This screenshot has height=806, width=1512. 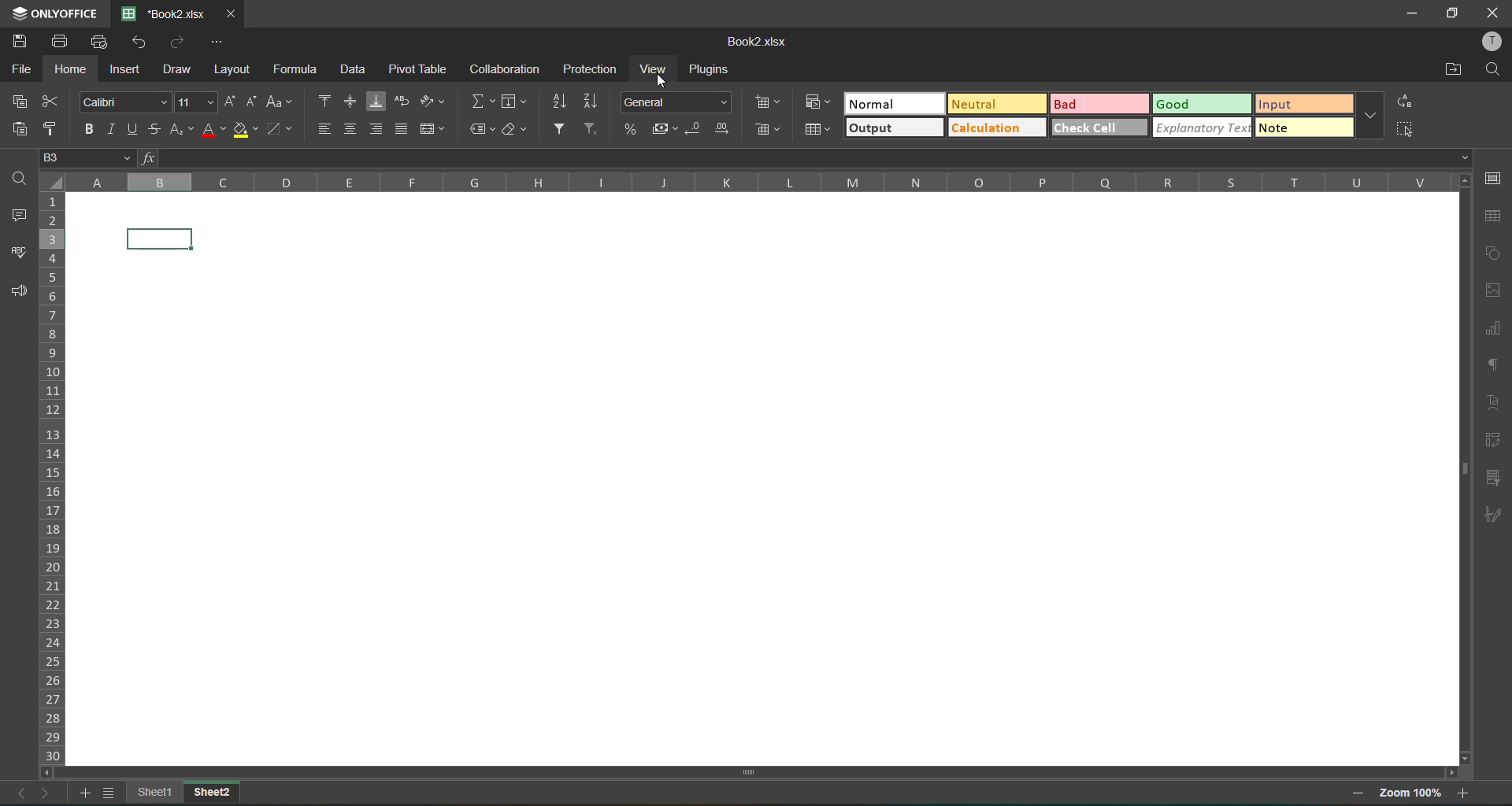 What do you see at coordinates (1496, 442) in the screenshot?
I see `pivot table` at bounding box center [1496, 442].